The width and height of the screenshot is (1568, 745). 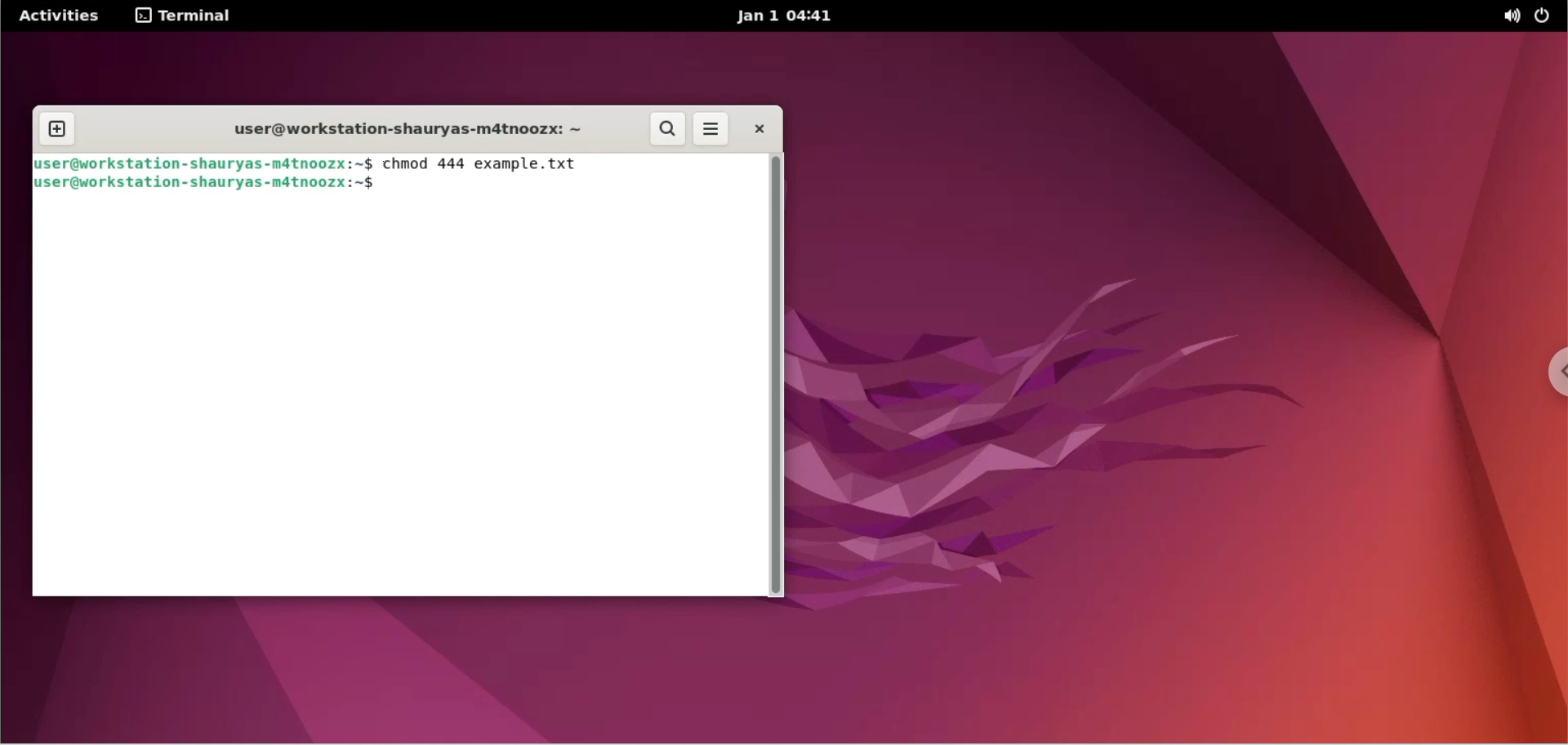 I want to click on search, so click(x=664, y=128).